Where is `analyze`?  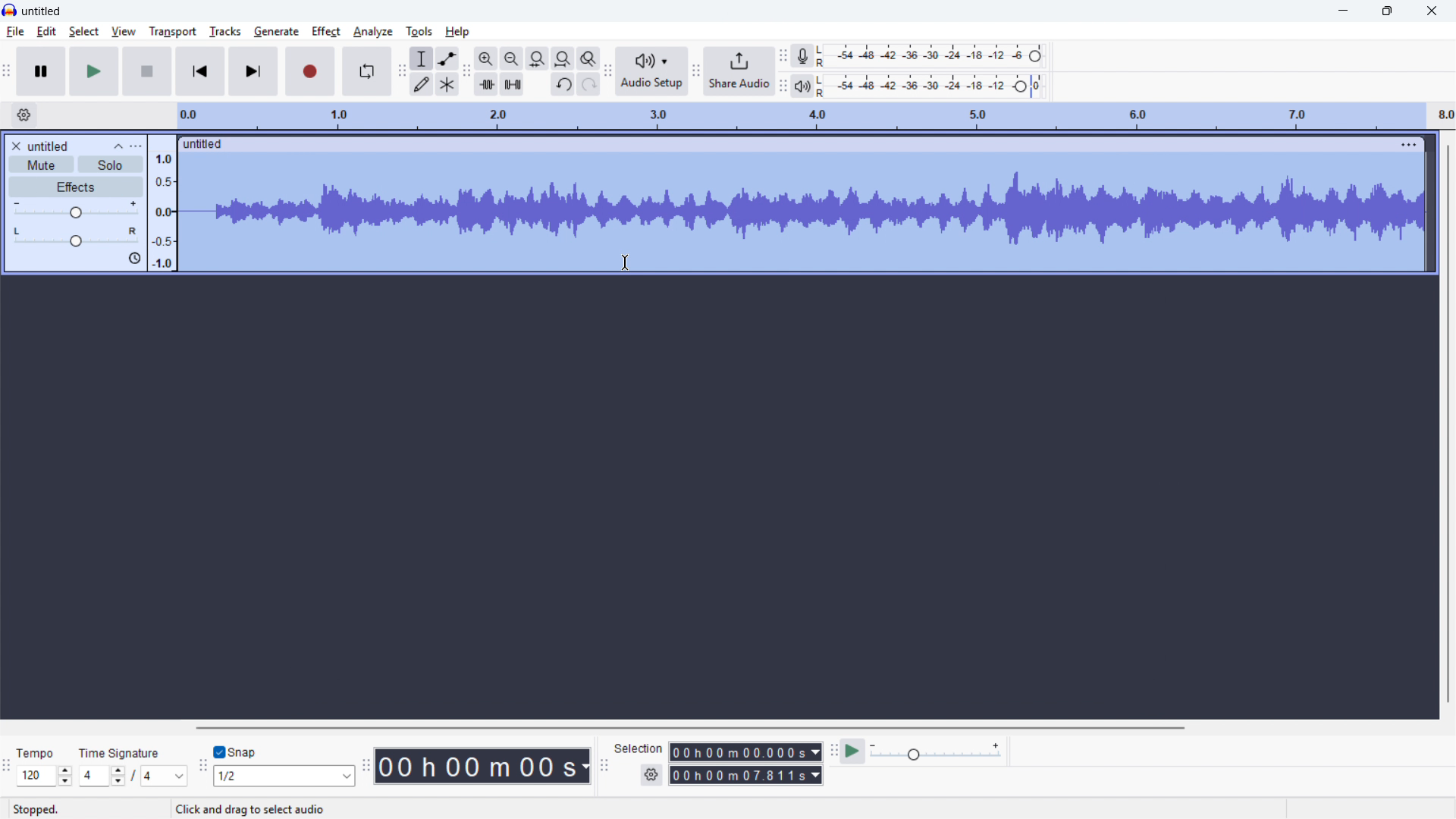 analyze is located at coordinates (372, 30).